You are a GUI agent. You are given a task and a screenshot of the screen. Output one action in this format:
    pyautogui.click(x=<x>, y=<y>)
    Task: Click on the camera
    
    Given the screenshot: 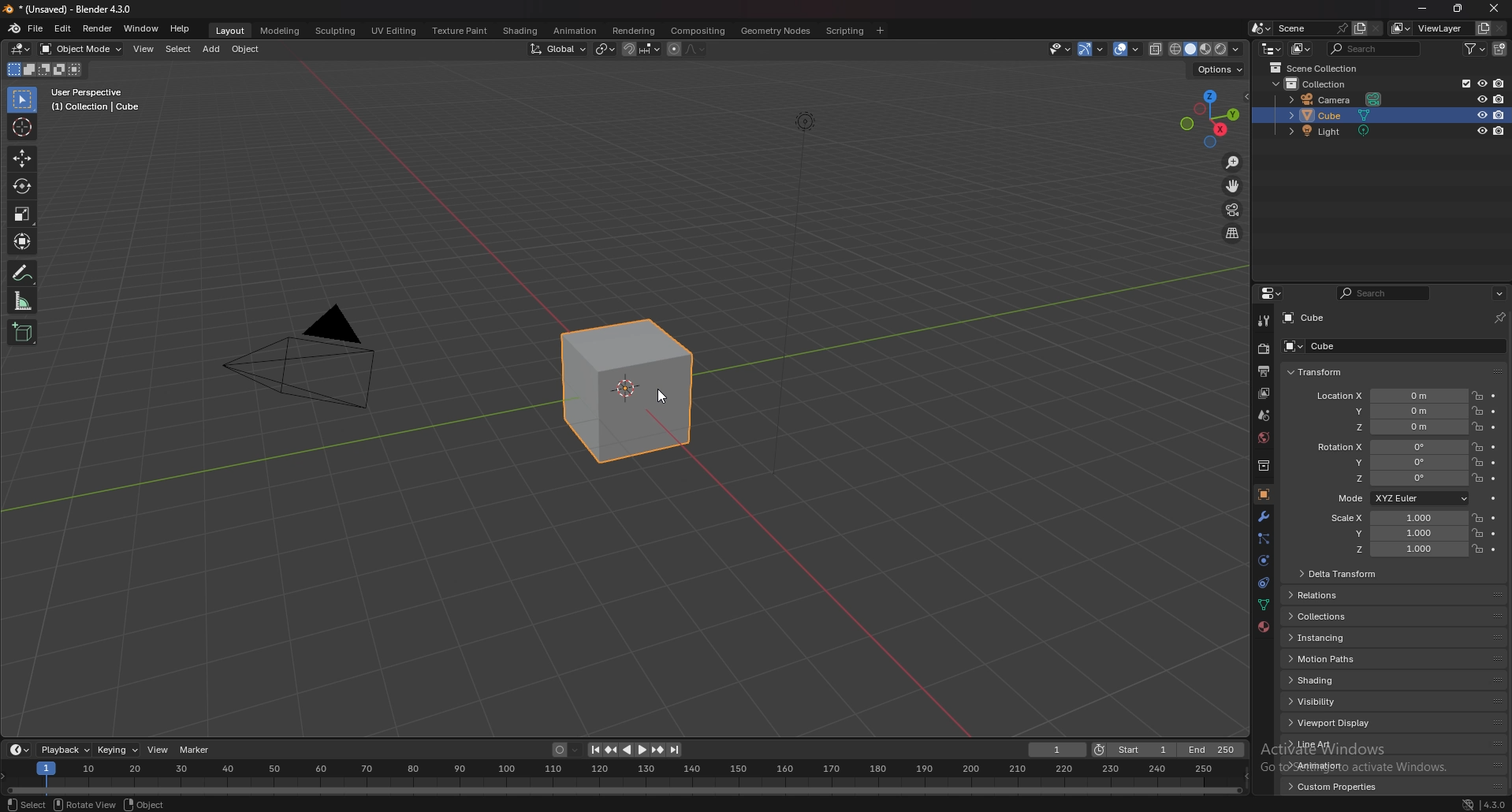 What is the action you would take?
    pyautogui.click(x=1336, y=99)
    